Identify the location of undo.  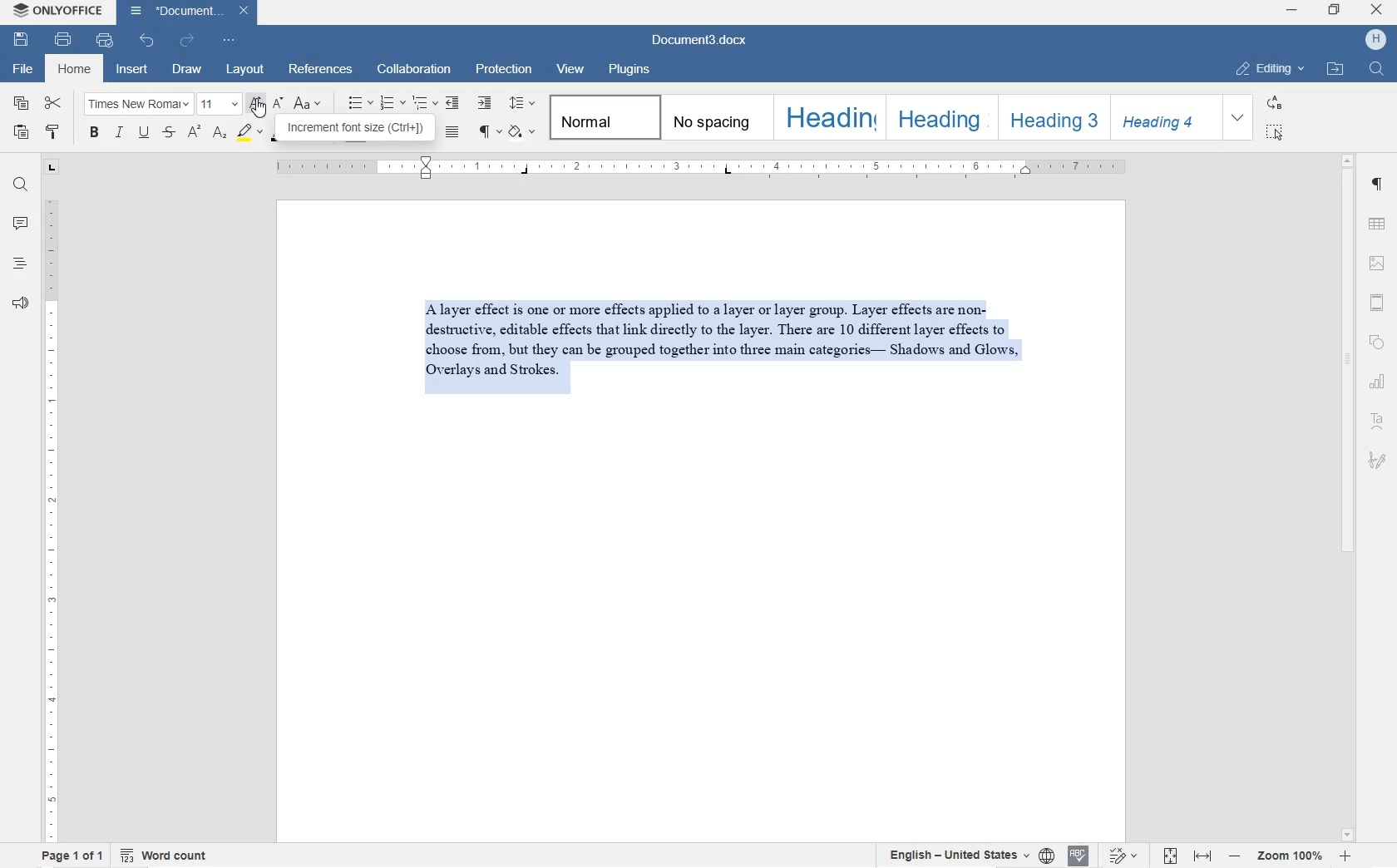
(148, 42).